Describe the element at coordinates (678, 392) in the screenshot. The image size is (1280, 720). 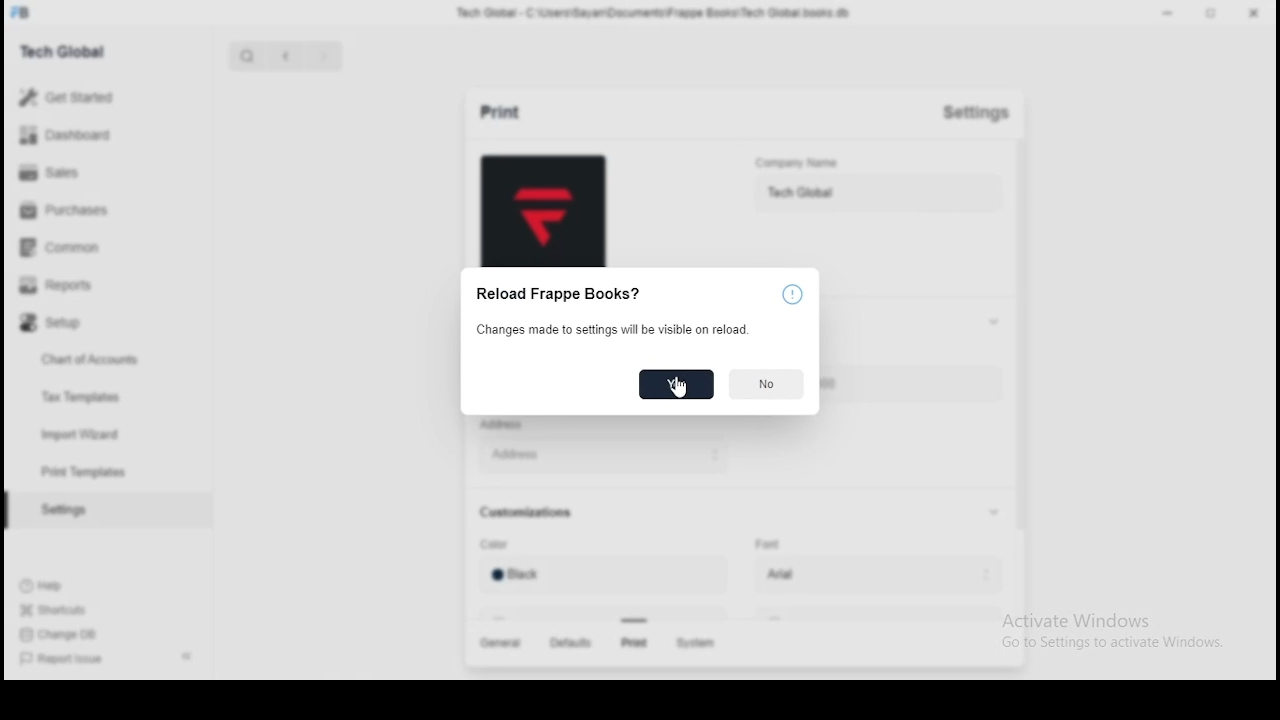
I see `cursor` at that location.